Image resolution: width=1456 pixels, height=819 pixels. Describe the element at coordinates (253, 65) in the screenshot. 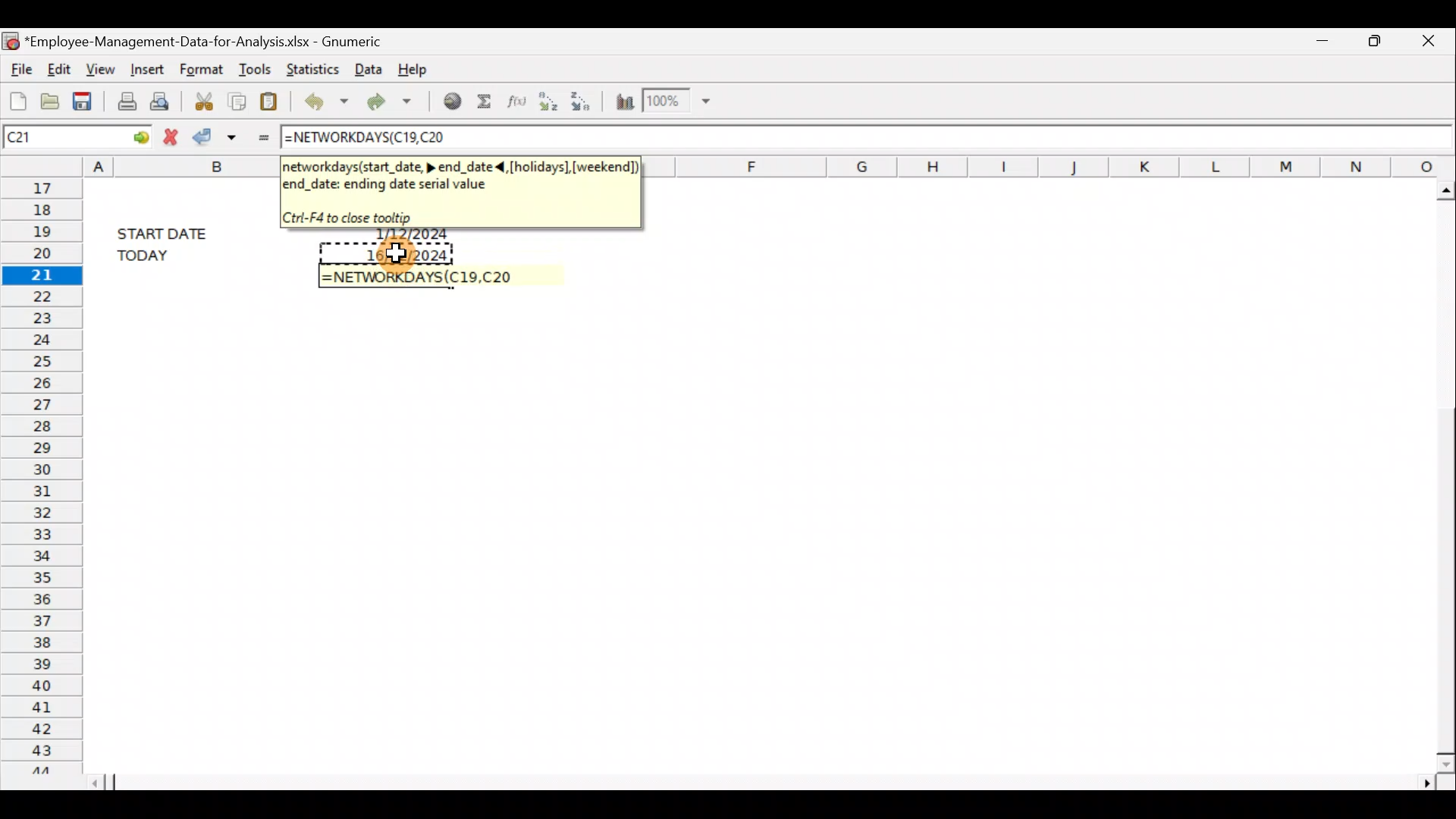

I see `Tools` at that location.